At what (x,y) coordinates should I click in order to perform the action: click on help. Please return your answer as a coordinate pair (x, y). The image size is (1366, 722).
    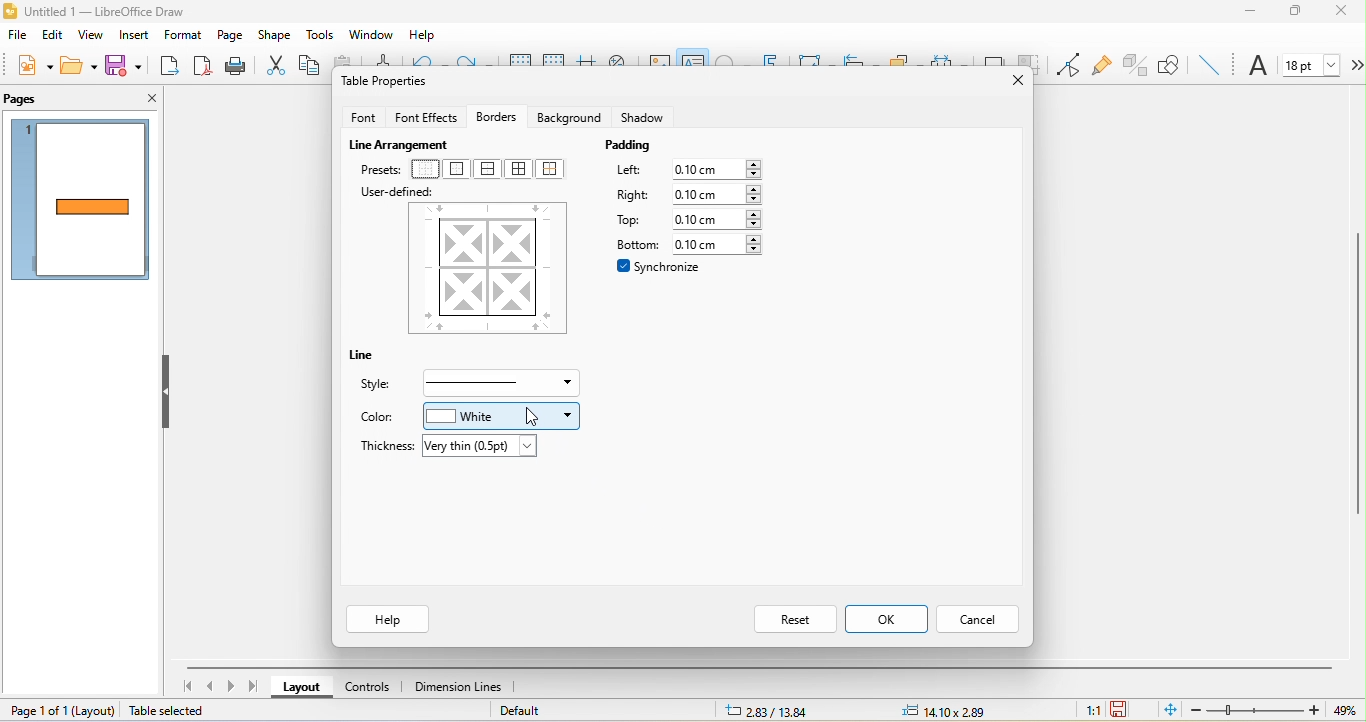
    Looking at the image, I should click on (427, 36).